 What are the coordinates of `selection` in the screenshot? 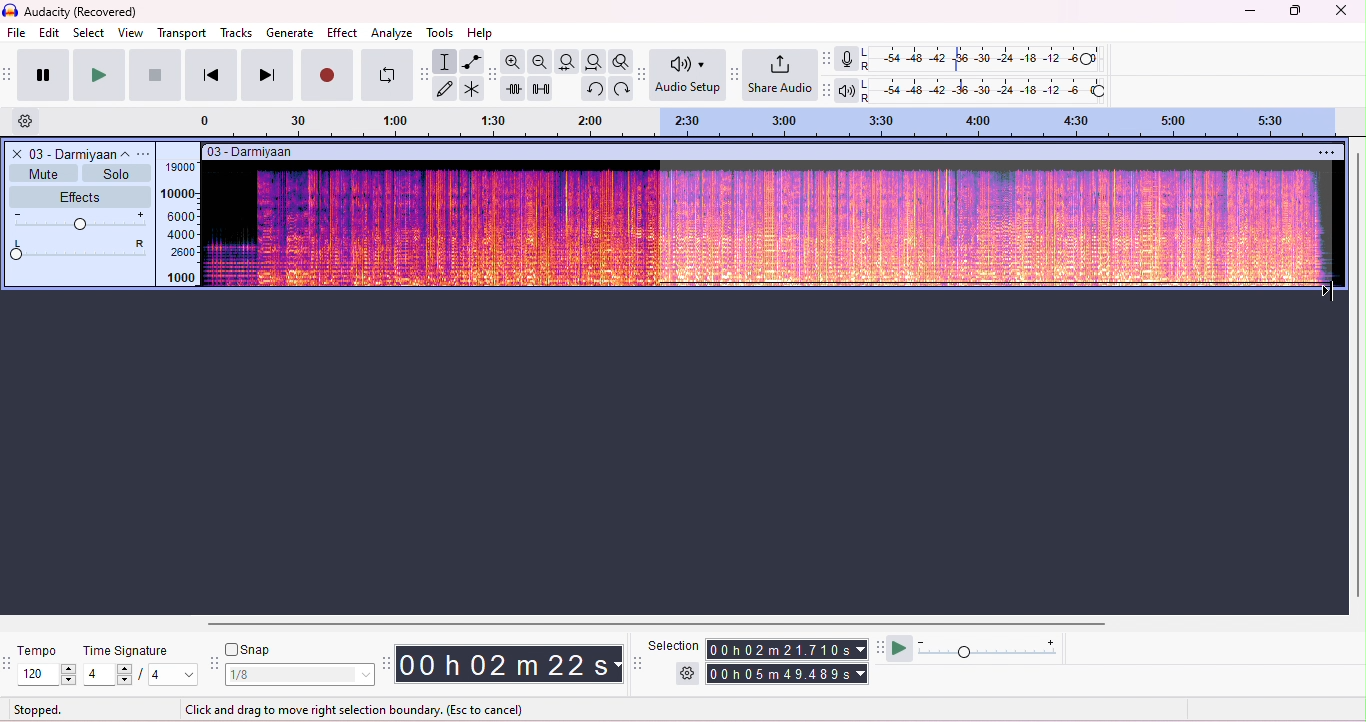 It's located at (674, 646).